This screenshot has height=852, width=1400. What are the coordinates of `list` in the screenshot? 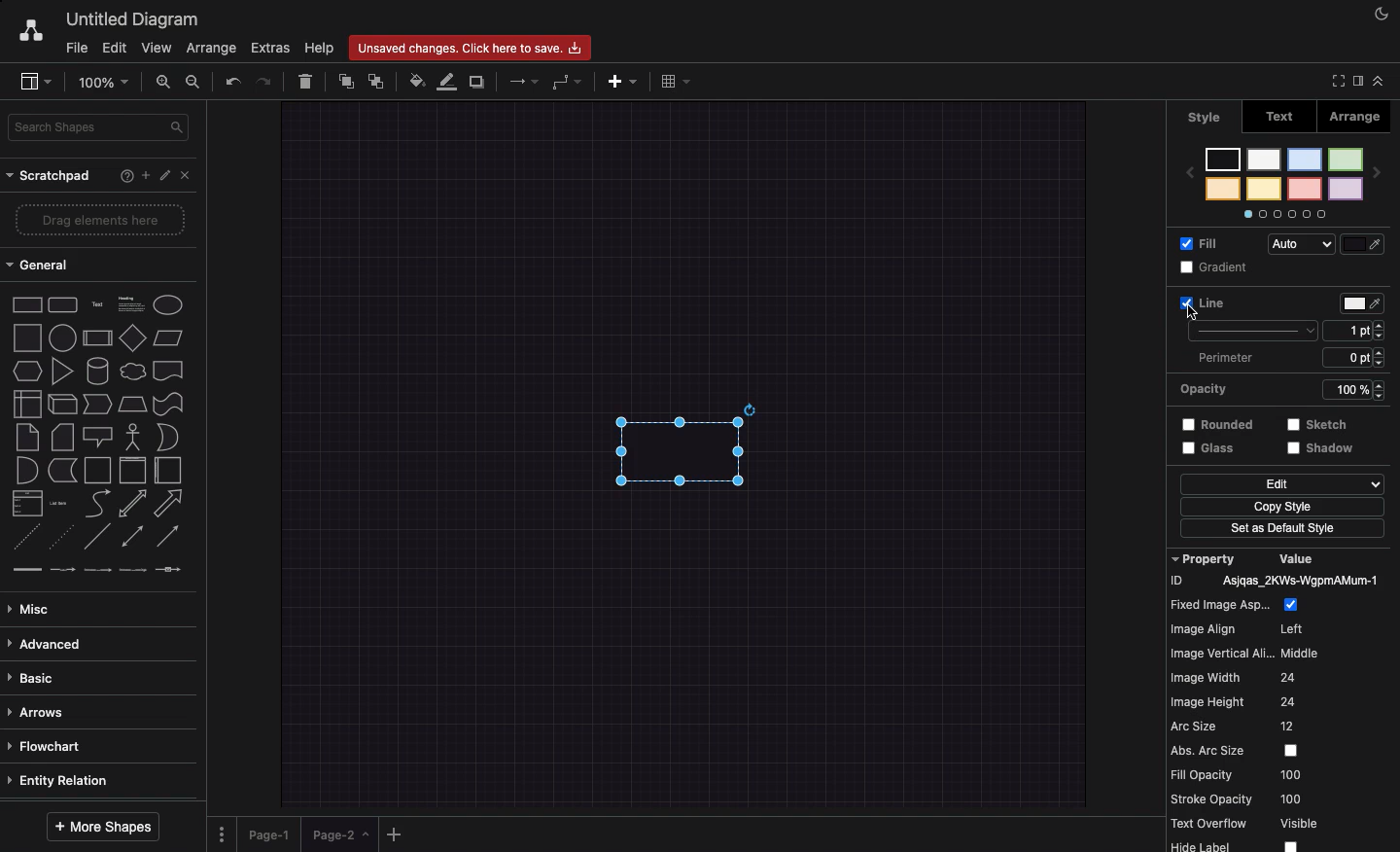 It's located at (24, 504).